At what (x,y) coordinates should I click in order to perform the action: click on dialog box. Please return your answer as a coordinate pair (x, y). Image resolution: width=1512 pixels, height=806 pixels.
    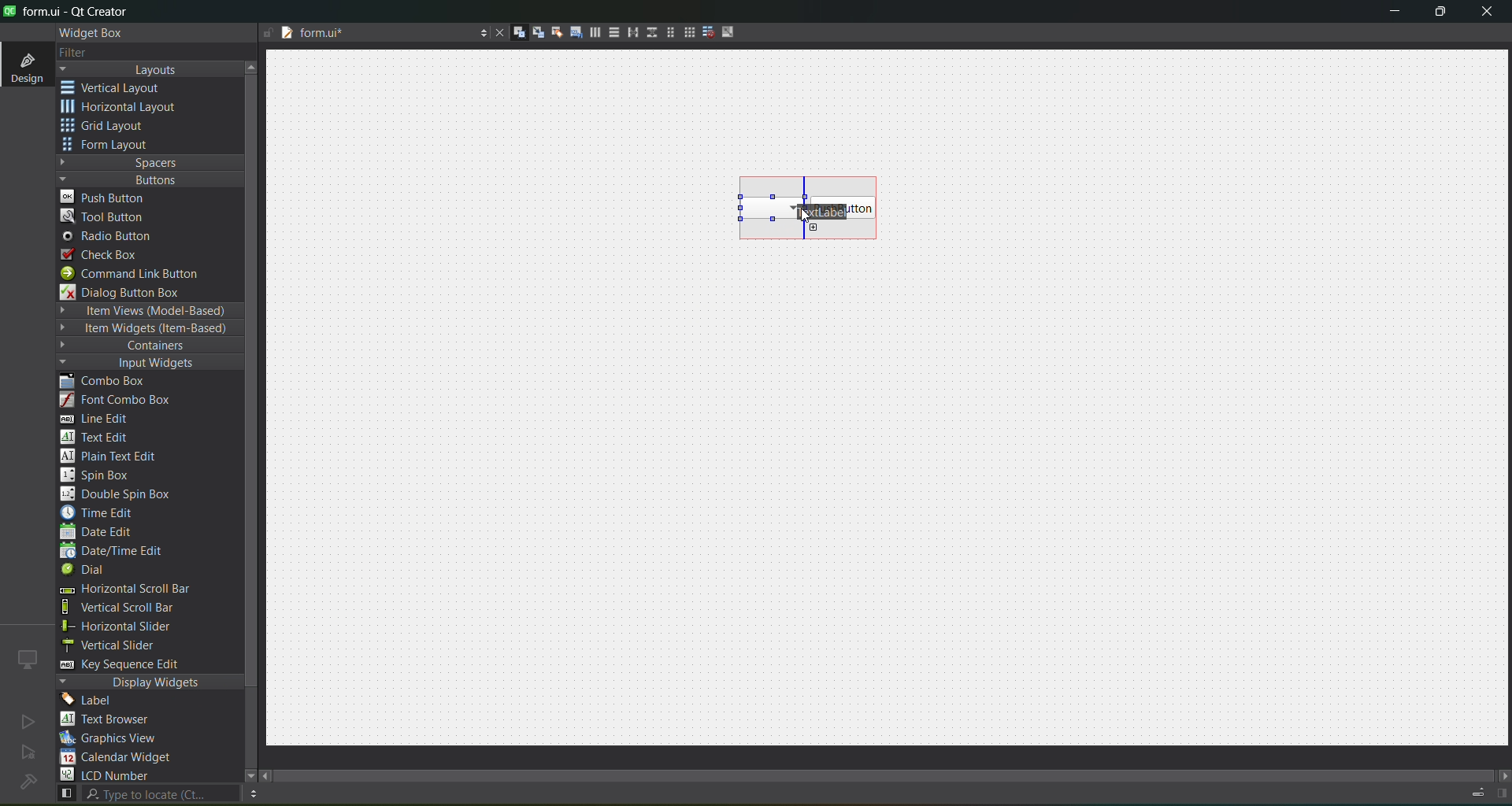
    Looking at the image, I should click on (132, 292).